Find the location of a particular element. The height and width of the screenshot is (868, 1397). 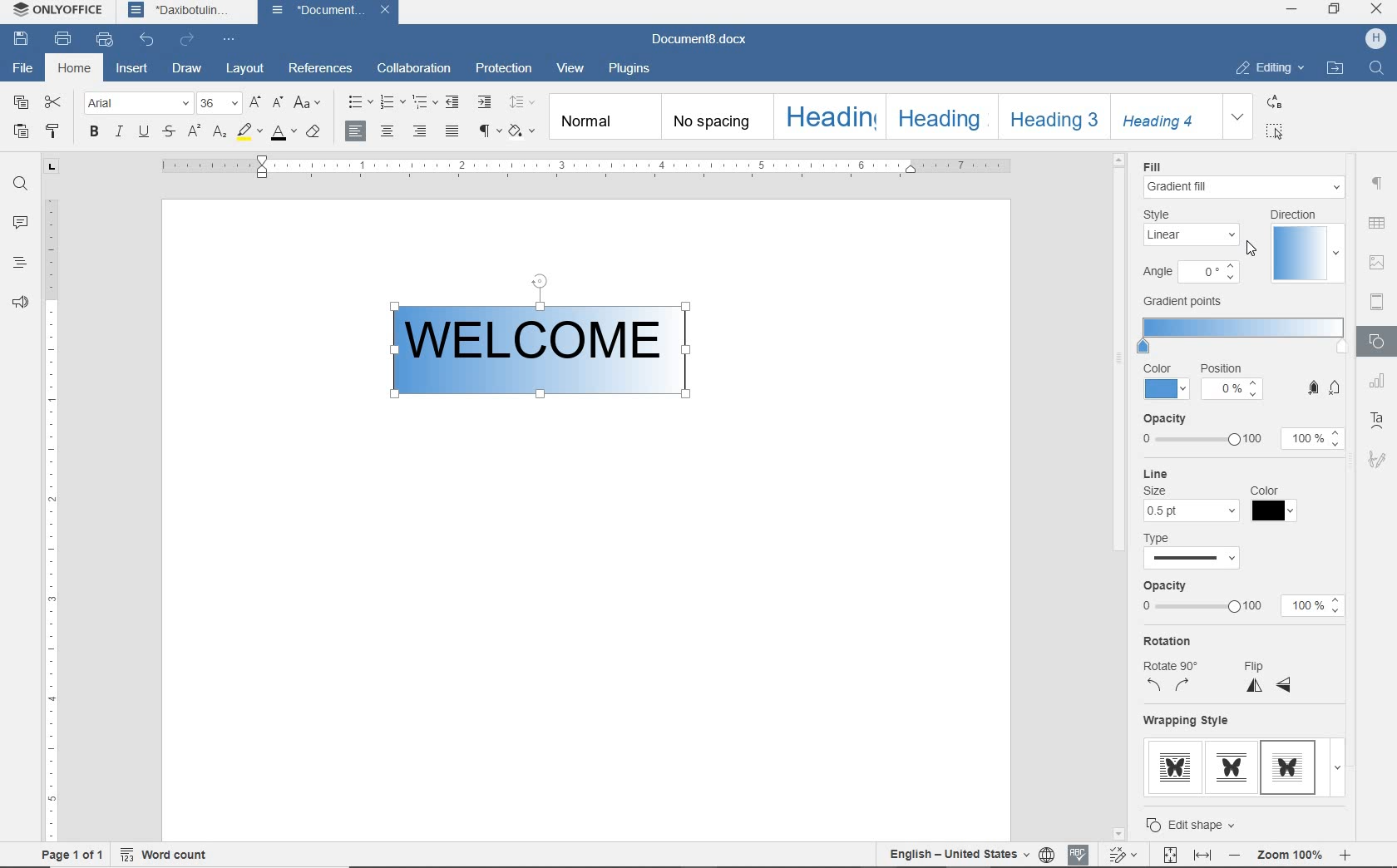

PAGE 1 OF 1 is located at coordinates (72, 855).